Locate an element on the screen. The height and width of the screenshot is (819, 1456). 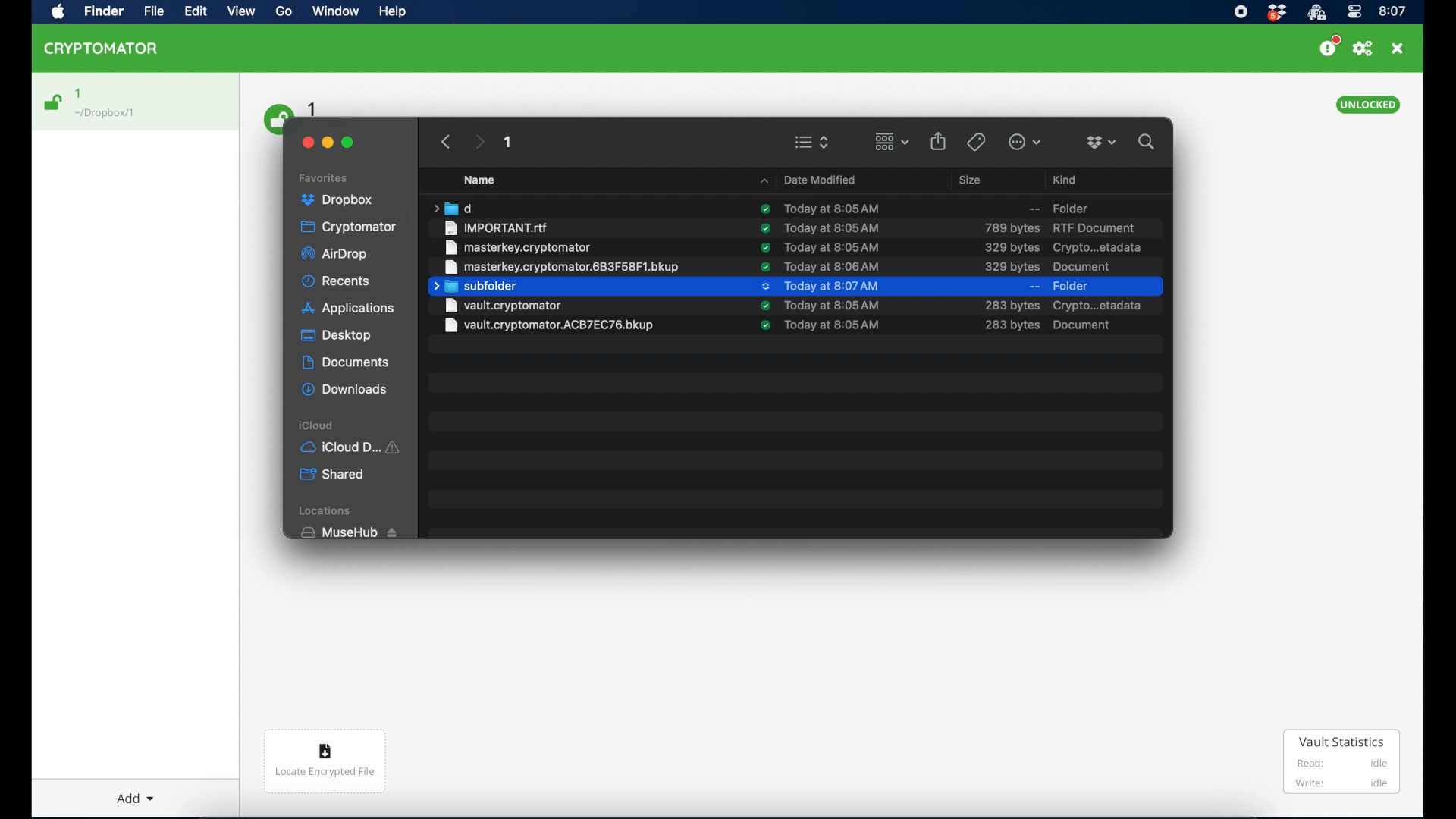
file name is located at coordinates (497, 227).